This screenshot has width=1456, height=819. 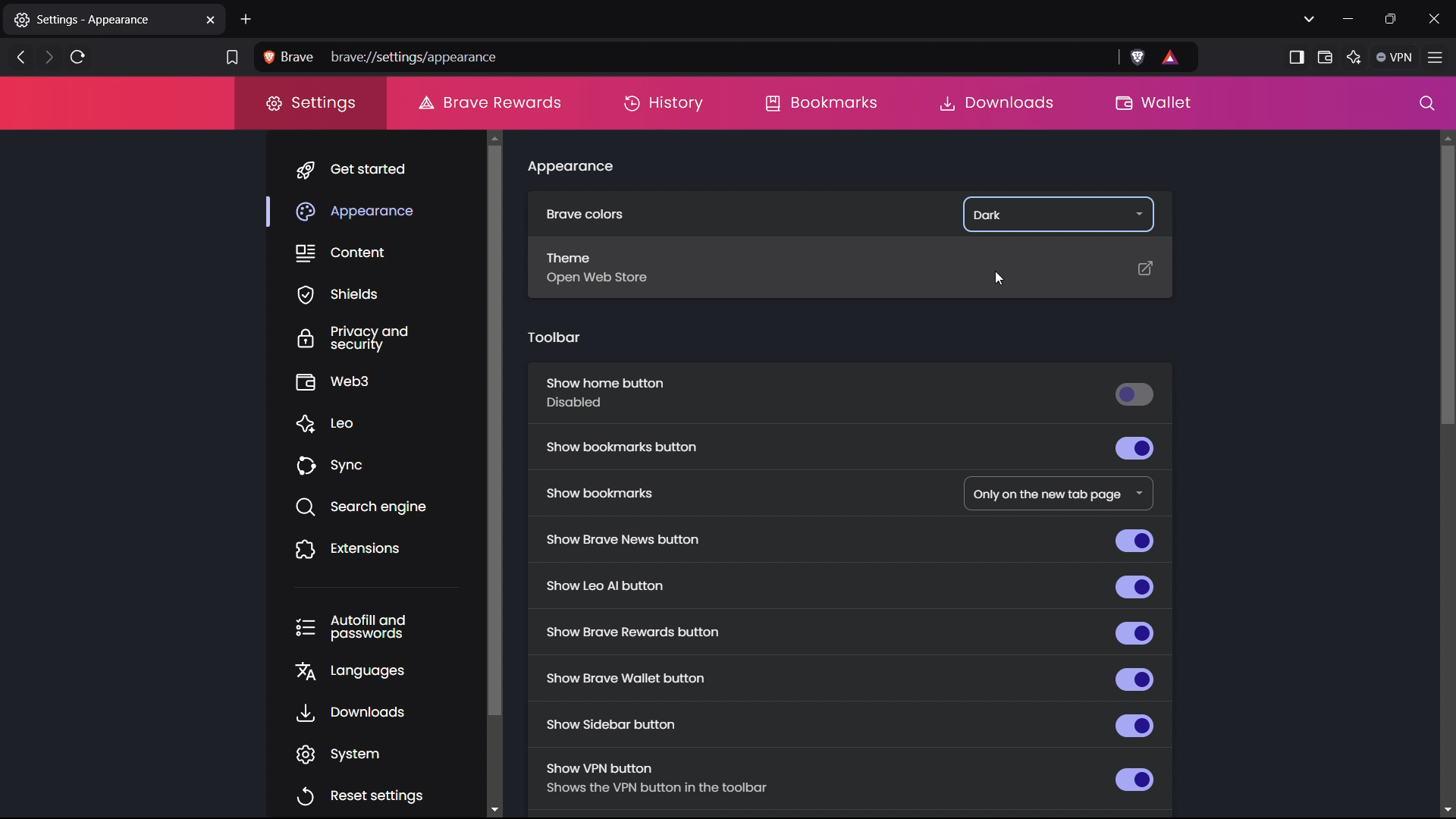 What do you see at coordinates (1056, 213) in the screenshot?
I see `dark` at bounding box center [1056, 213].